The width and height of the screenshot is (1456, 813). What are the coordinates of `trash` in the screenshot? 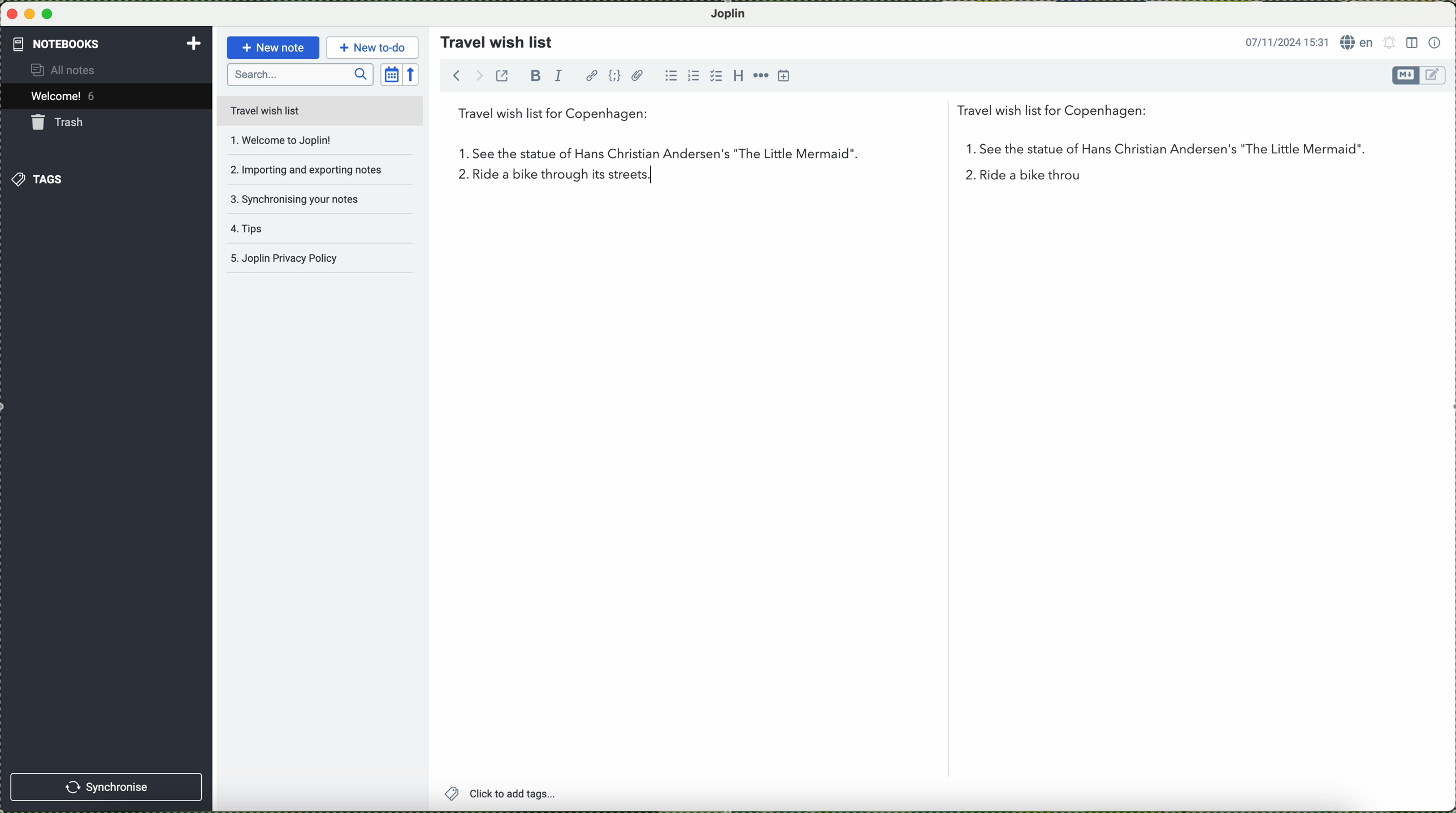 It's located at (60, 122).